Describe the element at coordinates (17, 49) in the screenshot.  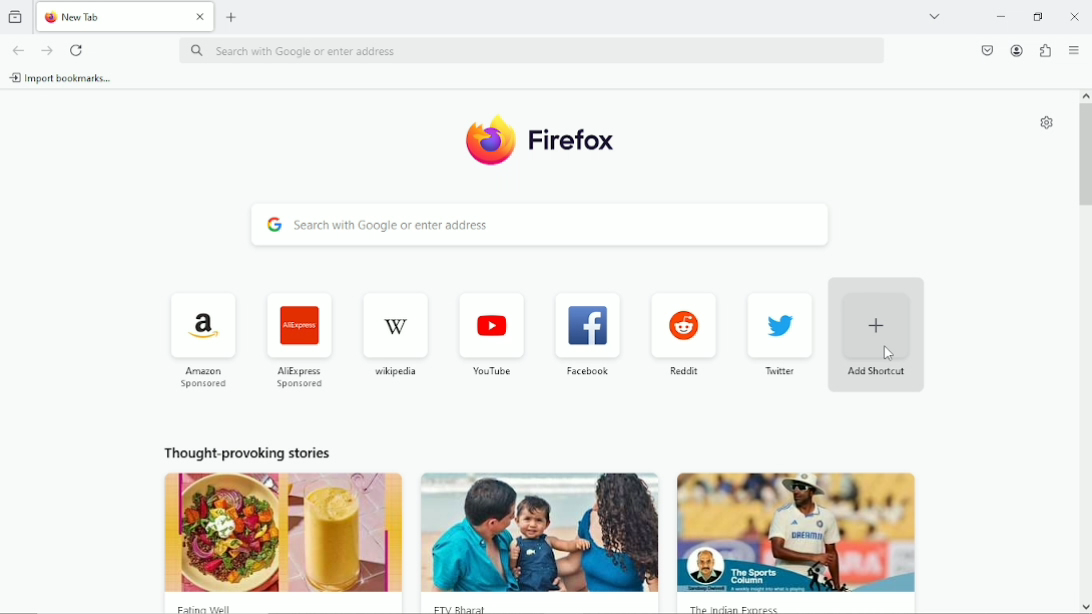
I see `go back` at that location.